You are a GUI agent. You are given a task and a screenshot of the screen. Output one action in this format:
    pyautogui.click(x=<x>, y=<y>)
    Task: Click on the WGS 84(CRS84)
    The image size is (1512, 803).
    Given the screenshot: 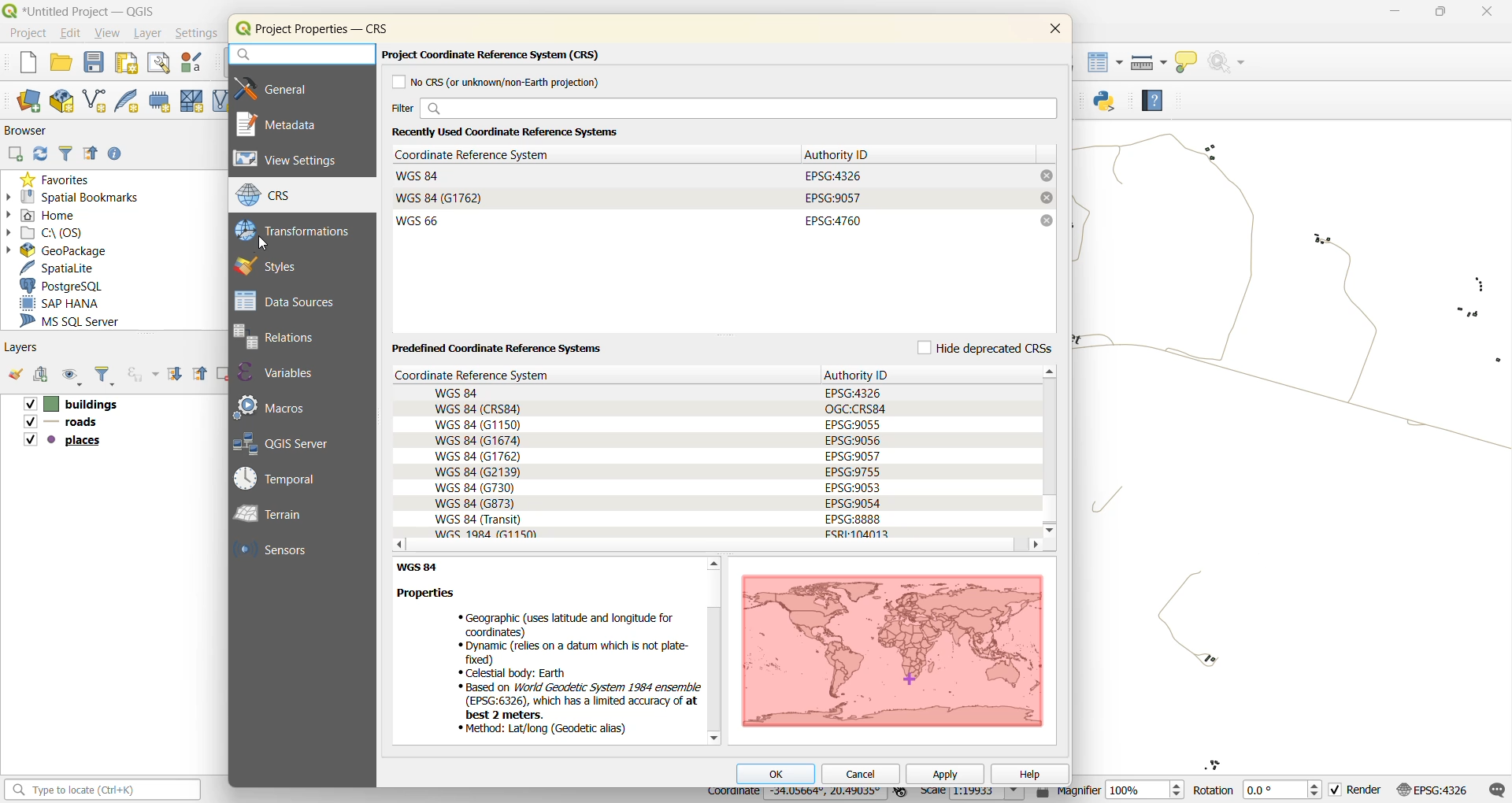 What is the action you would take?
    pyautogui.click(x=479, y=409)
    